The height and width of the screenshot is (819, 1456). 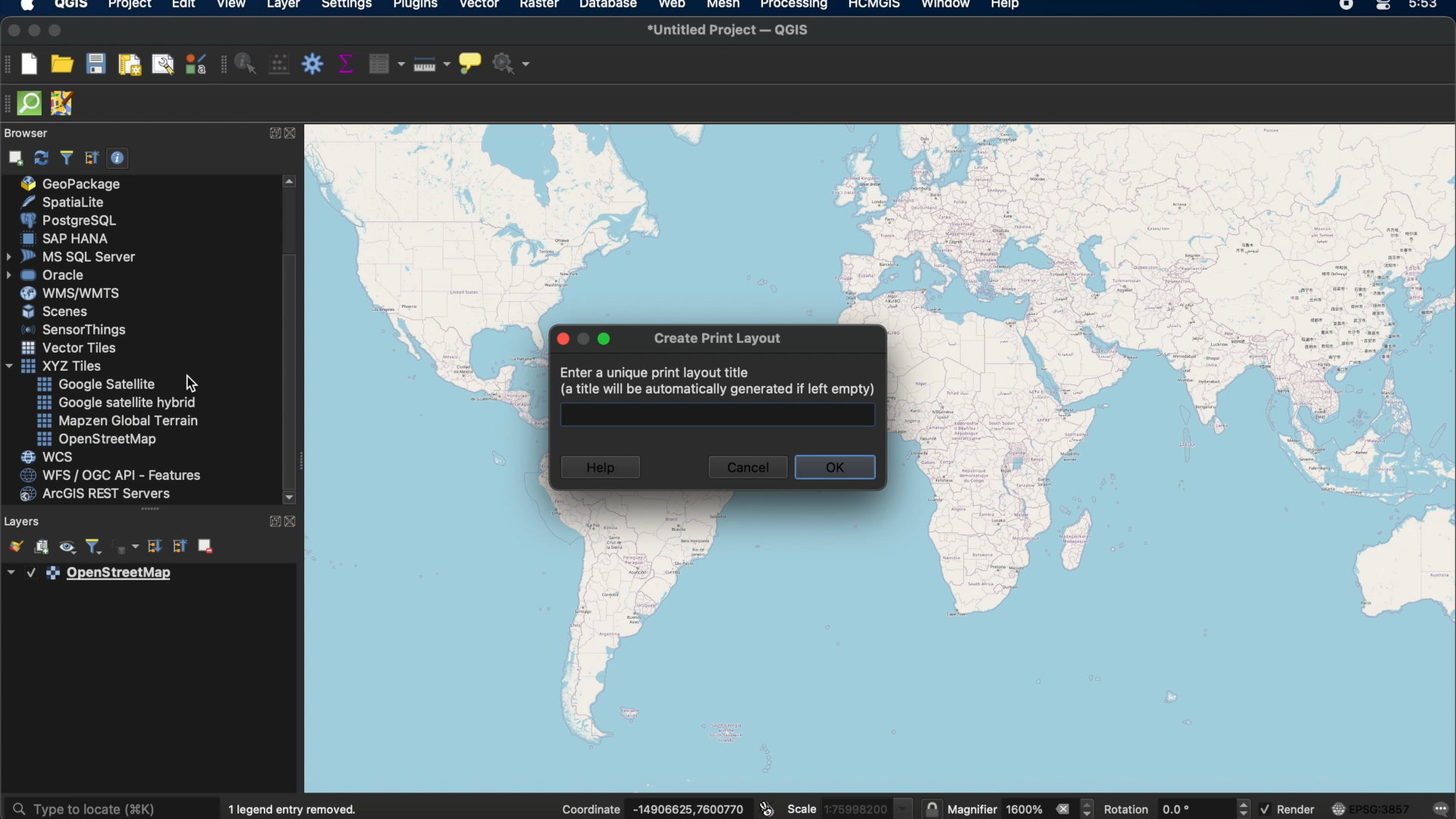 What do you see at coordinates (584, 337) in the screenshot?
I see `inactive minimize icon` at bounding box center [584, 337].